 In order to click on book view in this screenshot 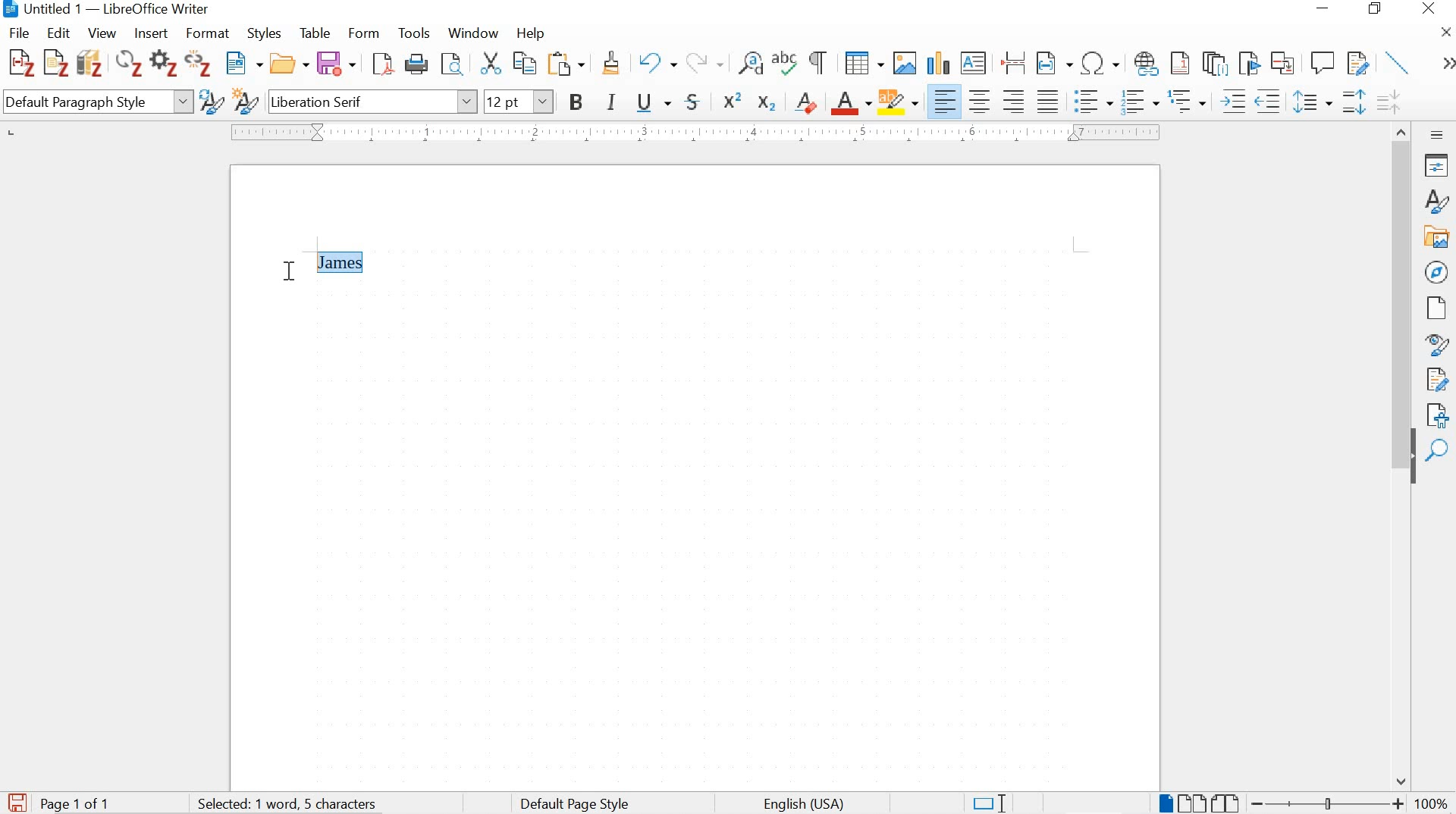, I will do `click(1227, 803)`.